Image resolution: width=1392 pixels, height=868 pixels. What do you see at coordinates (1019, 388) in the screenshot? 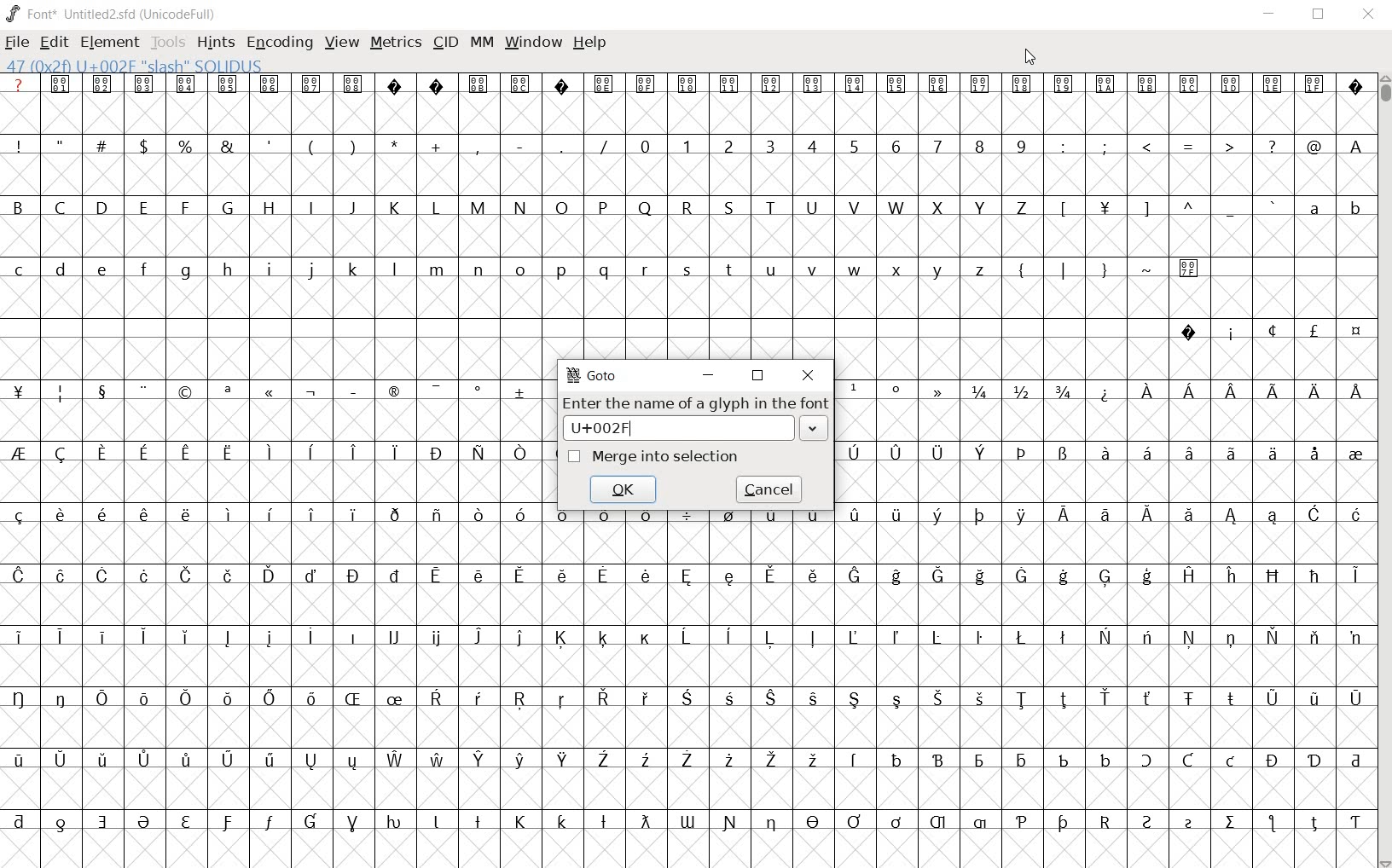
I see `fractions` at bounding box center [1019, 388].